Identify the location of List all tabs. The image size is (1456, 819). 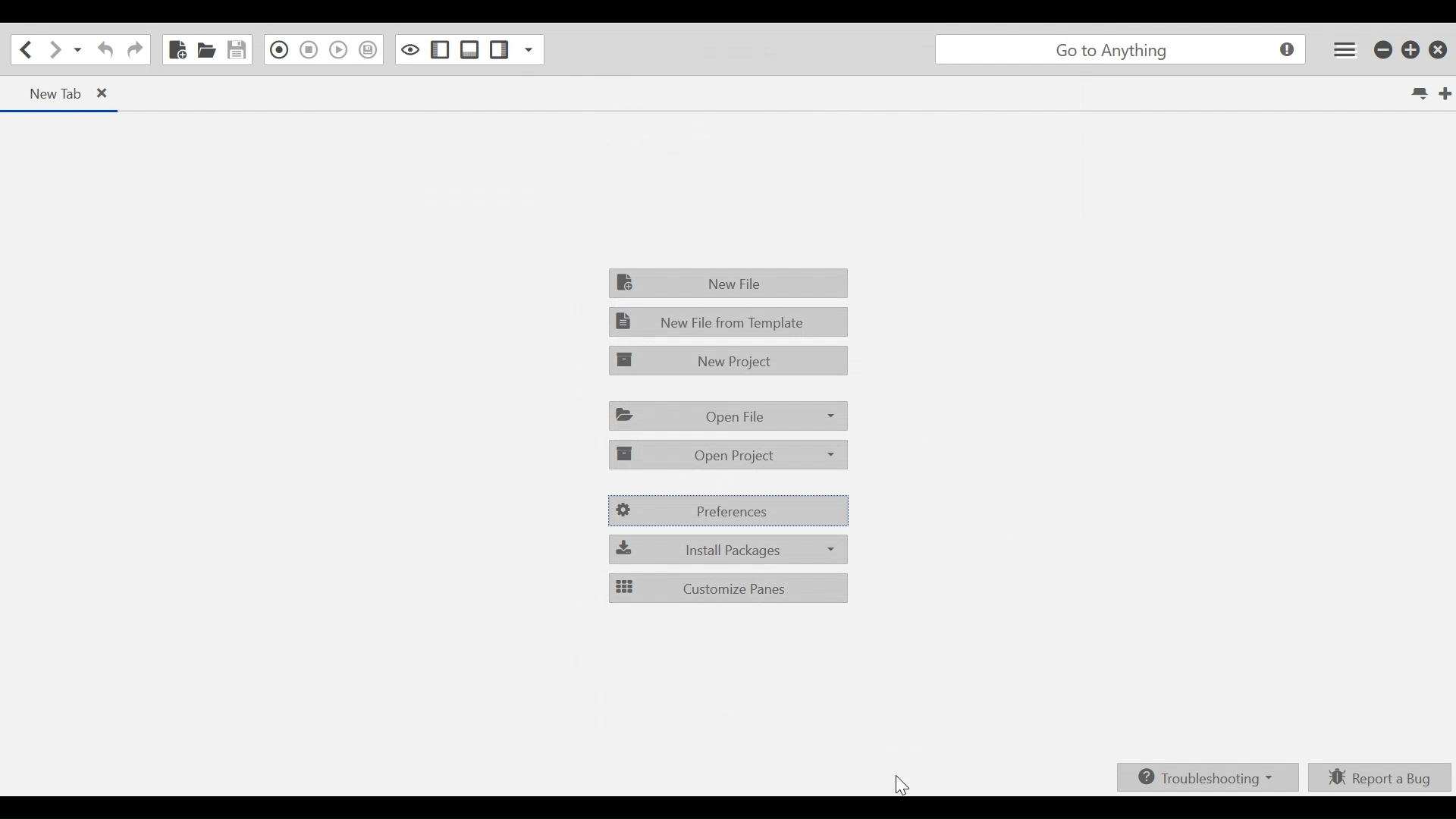
(1418, 92).